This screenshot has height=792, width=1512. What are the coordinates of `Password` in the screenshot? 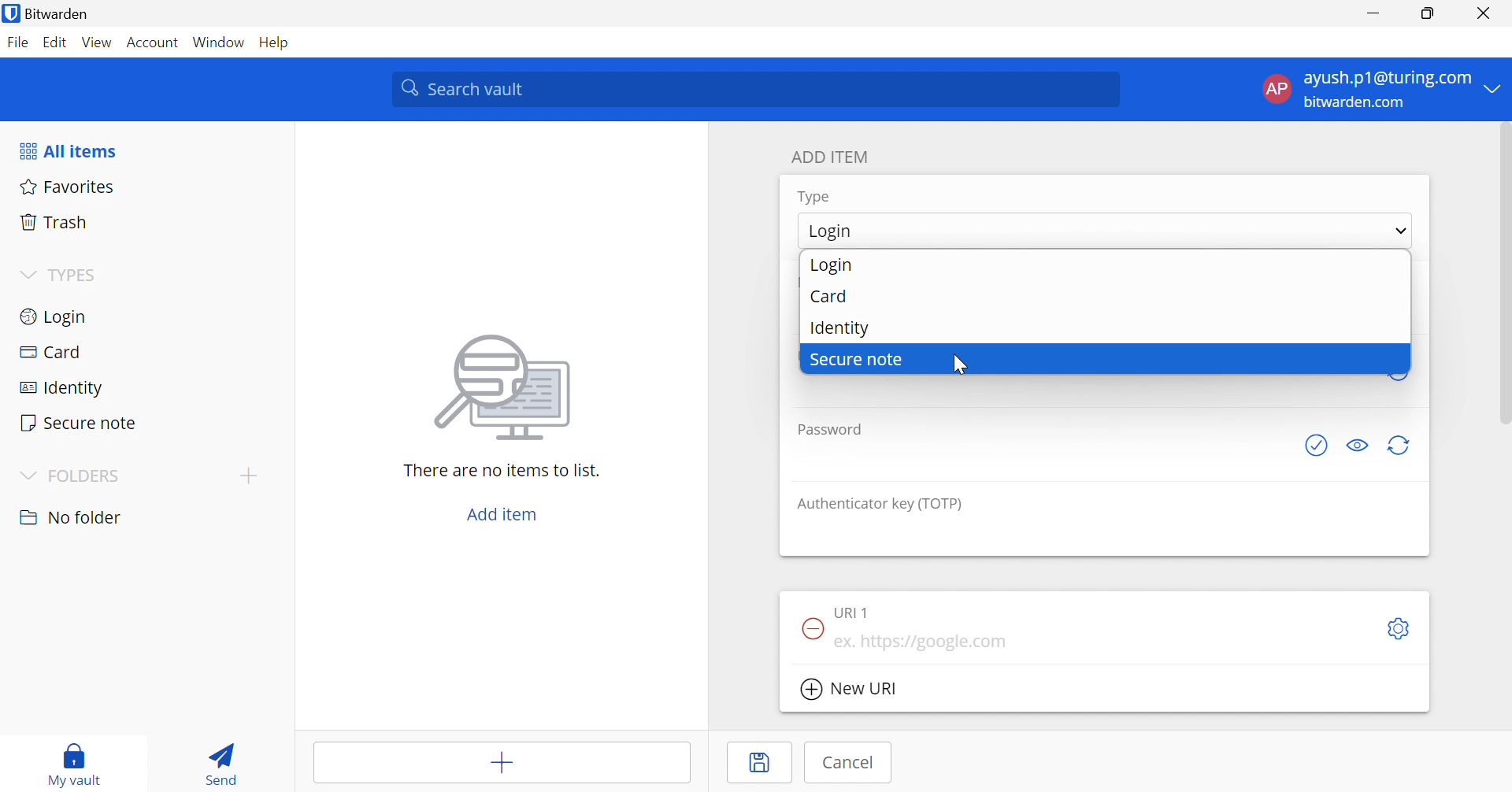 It's located at (831, 431).